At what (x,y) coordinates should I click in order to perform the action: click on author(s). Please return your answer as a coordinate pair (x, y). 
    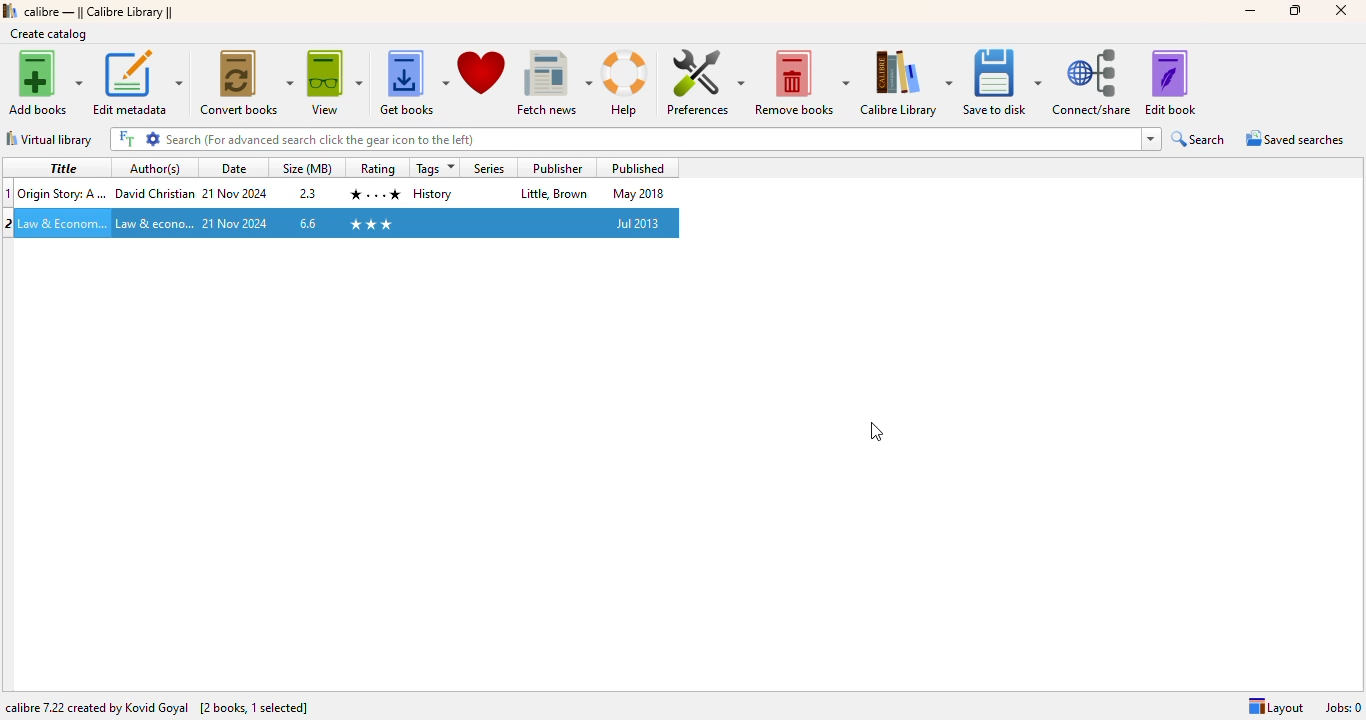
    Looking at the image, I should click on (156, 168).